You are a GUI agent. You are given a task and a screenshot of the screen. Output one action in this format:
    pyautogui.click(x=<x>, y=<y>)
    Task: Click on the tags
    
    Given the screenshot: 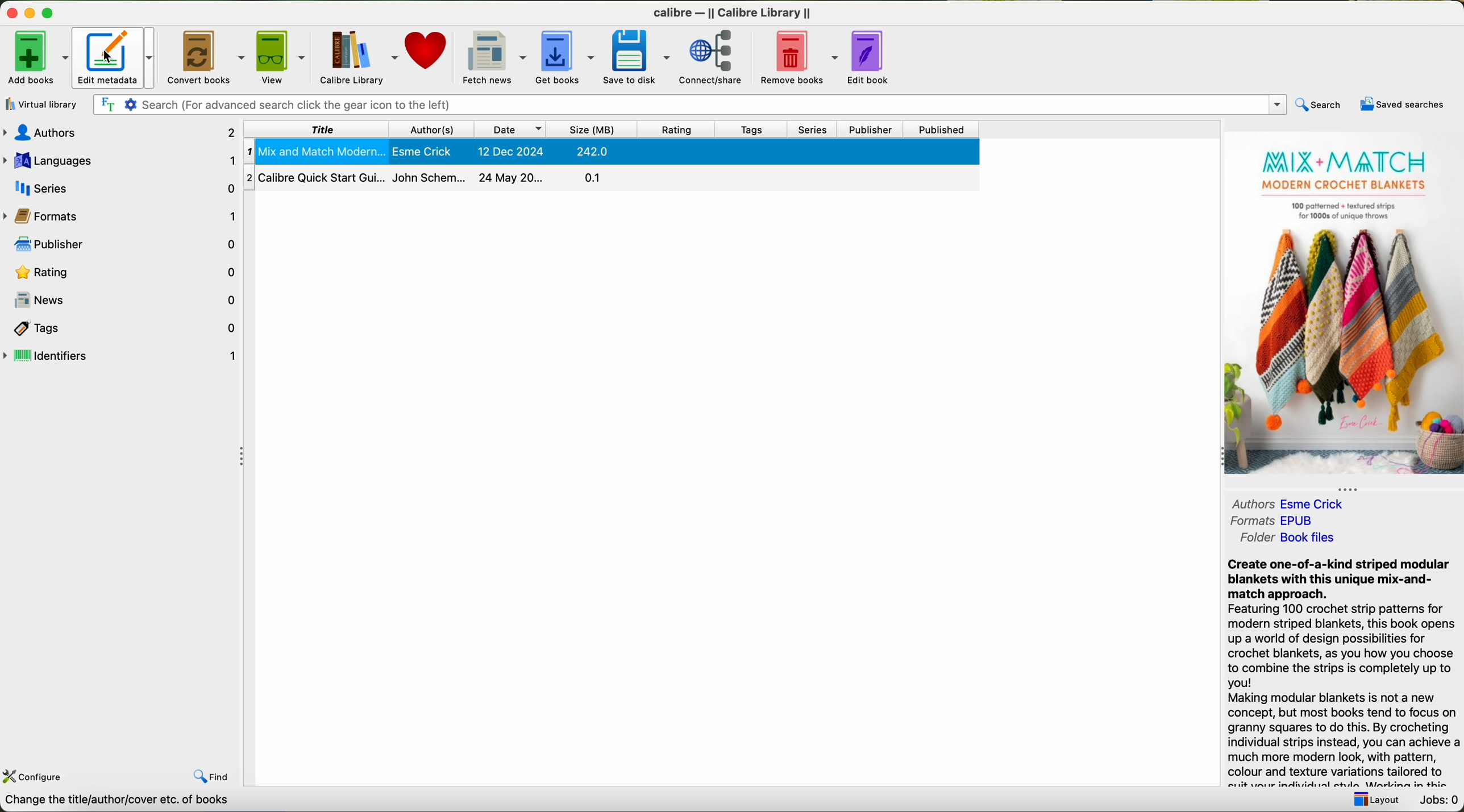 What is the action you would take?
    pyautogui.click(x=120, y=328)
    